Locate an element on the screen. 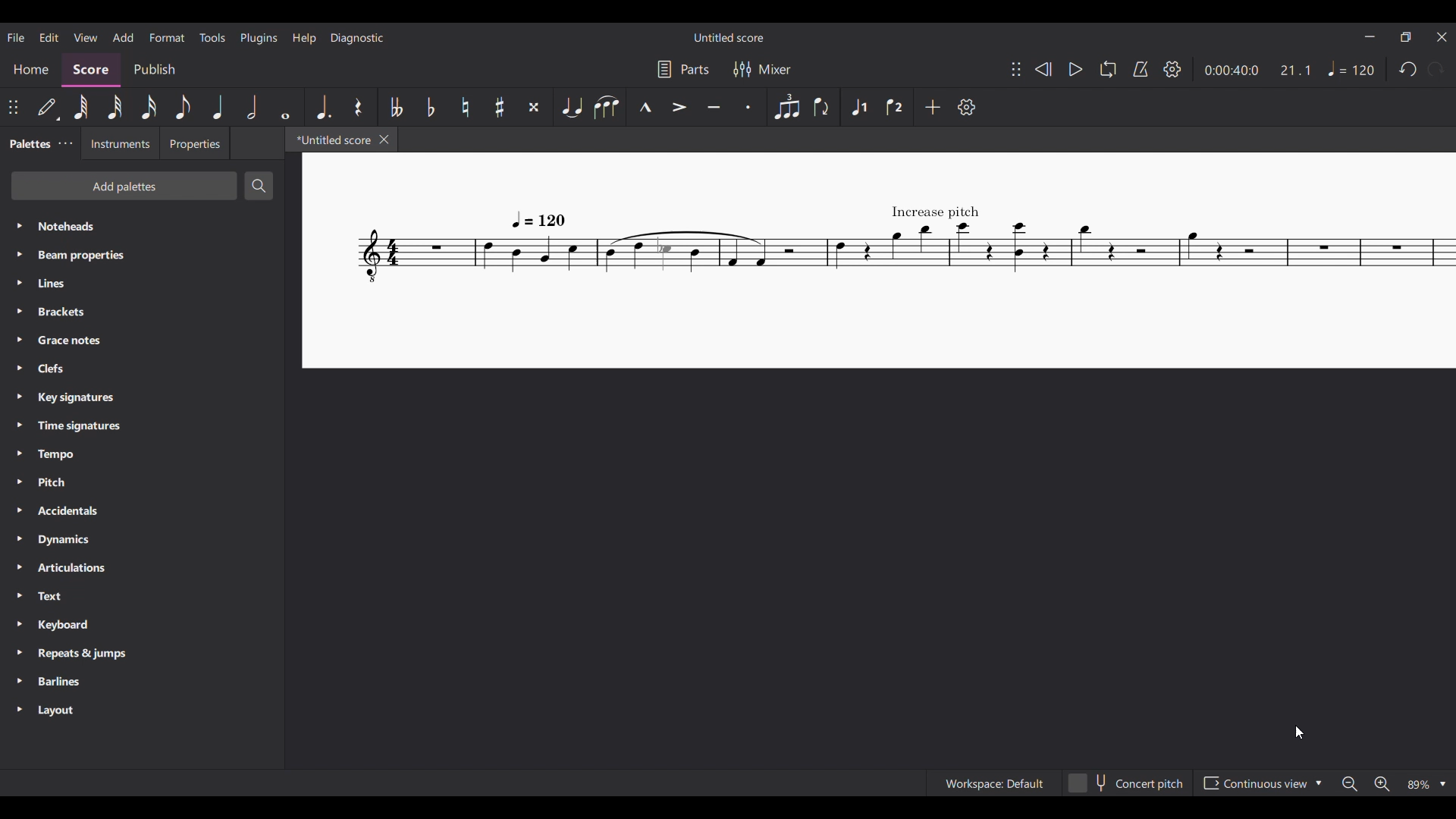  Accent is located at coordinates (679, 106).